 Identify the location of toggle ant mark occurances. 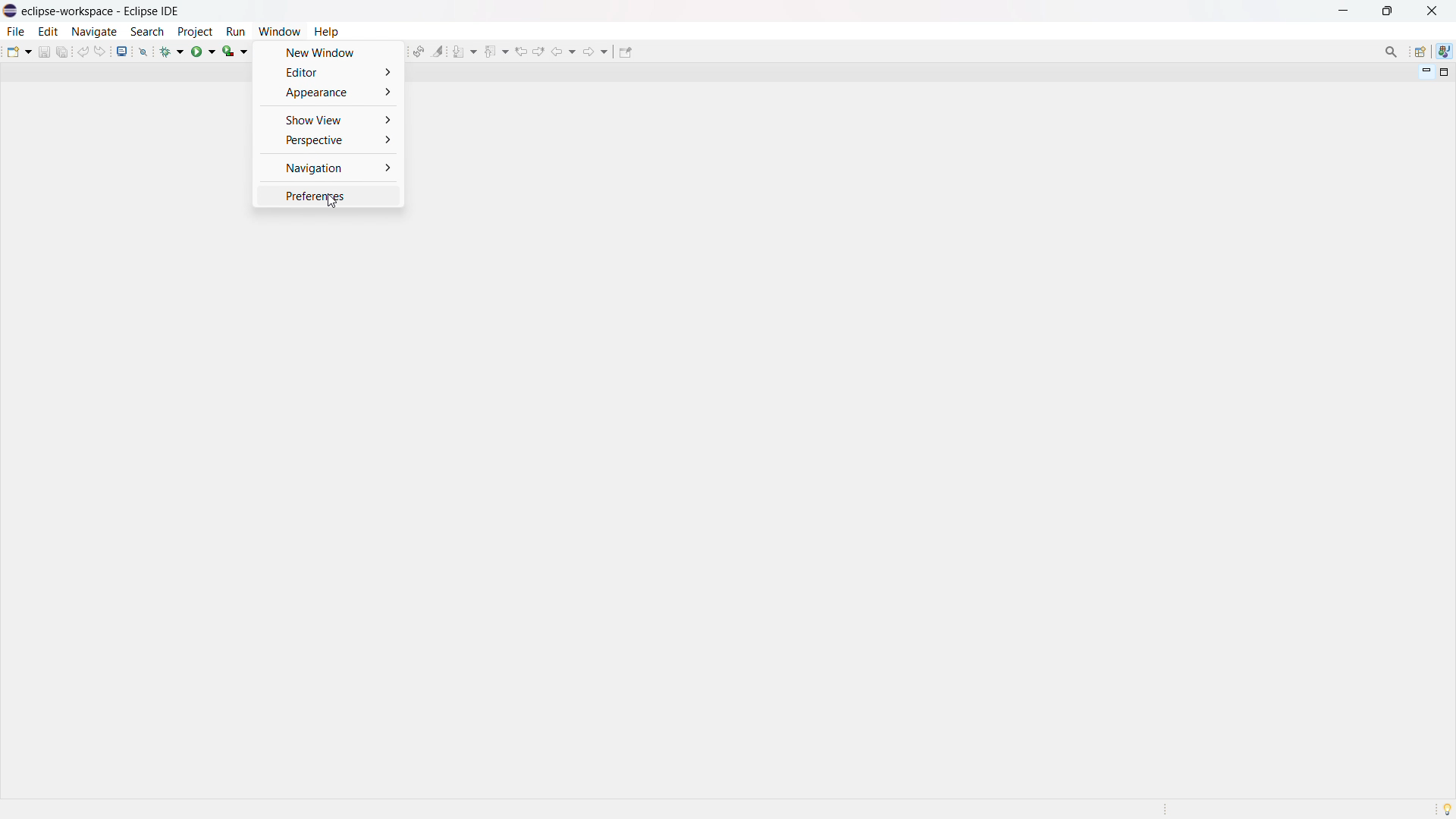
(438, 51).